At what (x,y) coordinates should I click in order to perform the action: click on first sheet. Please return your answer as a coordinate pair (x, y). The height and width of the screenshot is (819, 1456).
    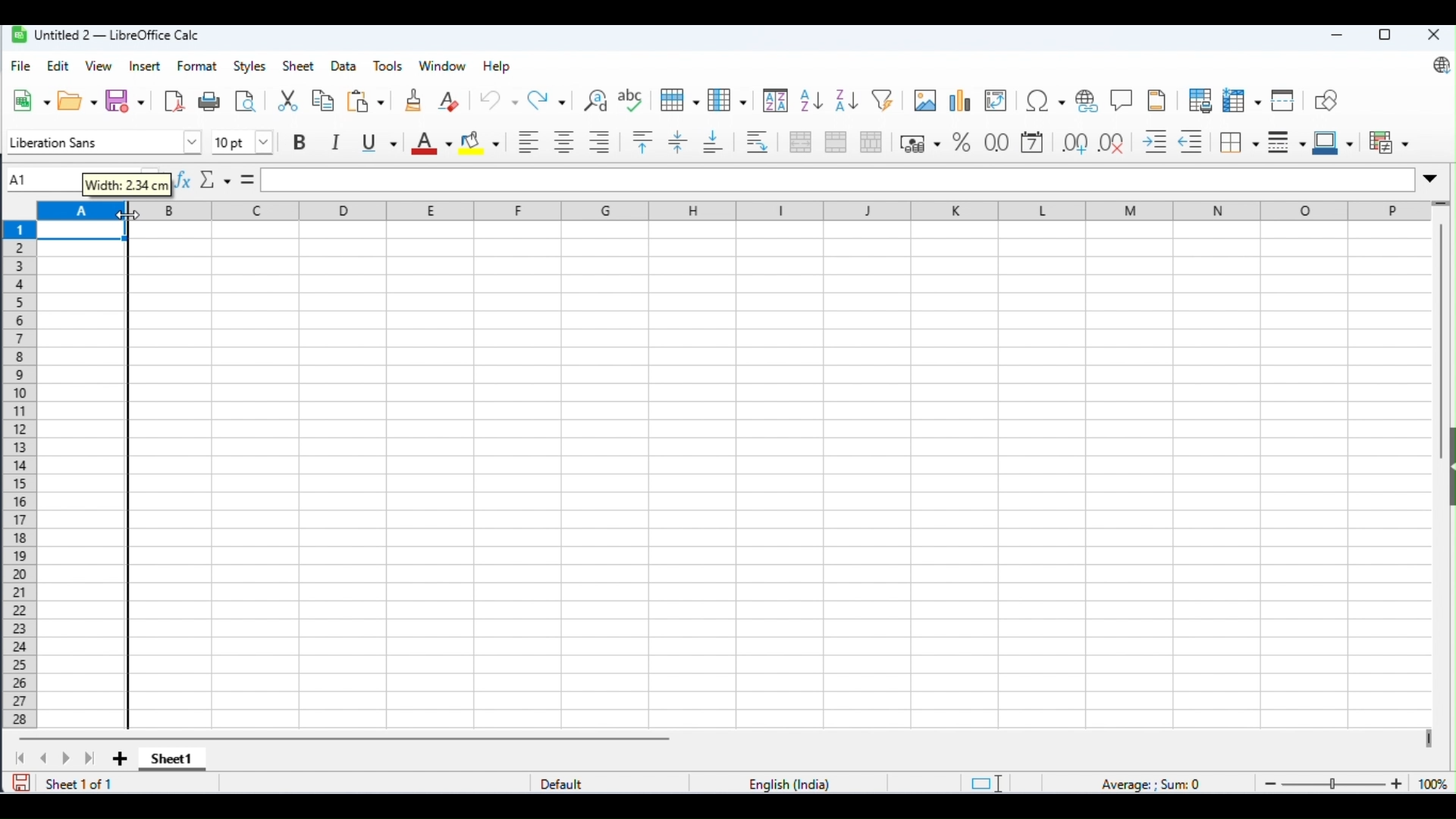
    Looking at the image, I should click on (22, 758).